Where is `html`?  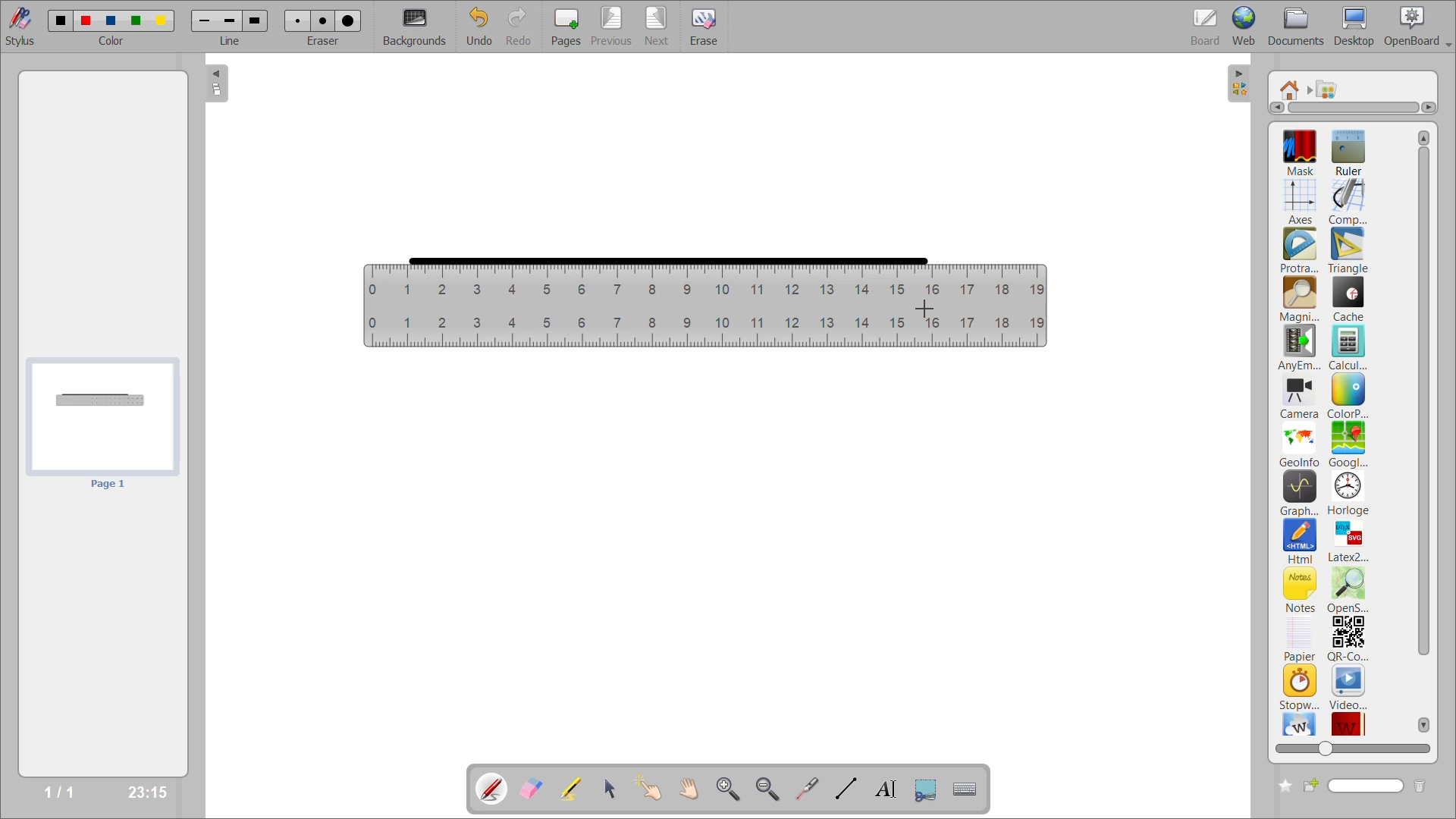
html is located at coordinates (1301, 542).